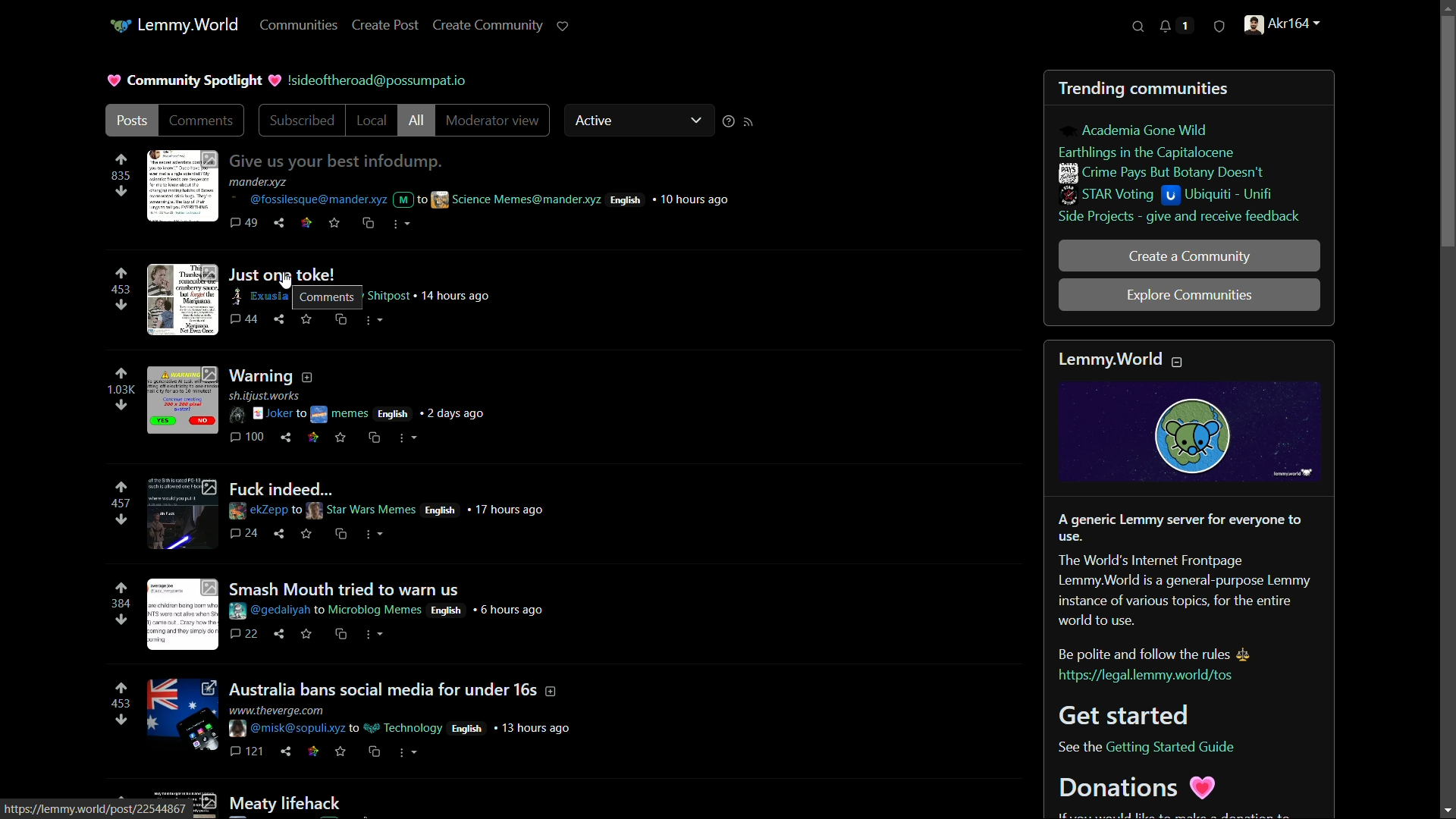 The width and height of the screenshot is (1456, 819). Describe the element at coordinates (184, 613) in the screenshot. I see `thumbnail` at that location.